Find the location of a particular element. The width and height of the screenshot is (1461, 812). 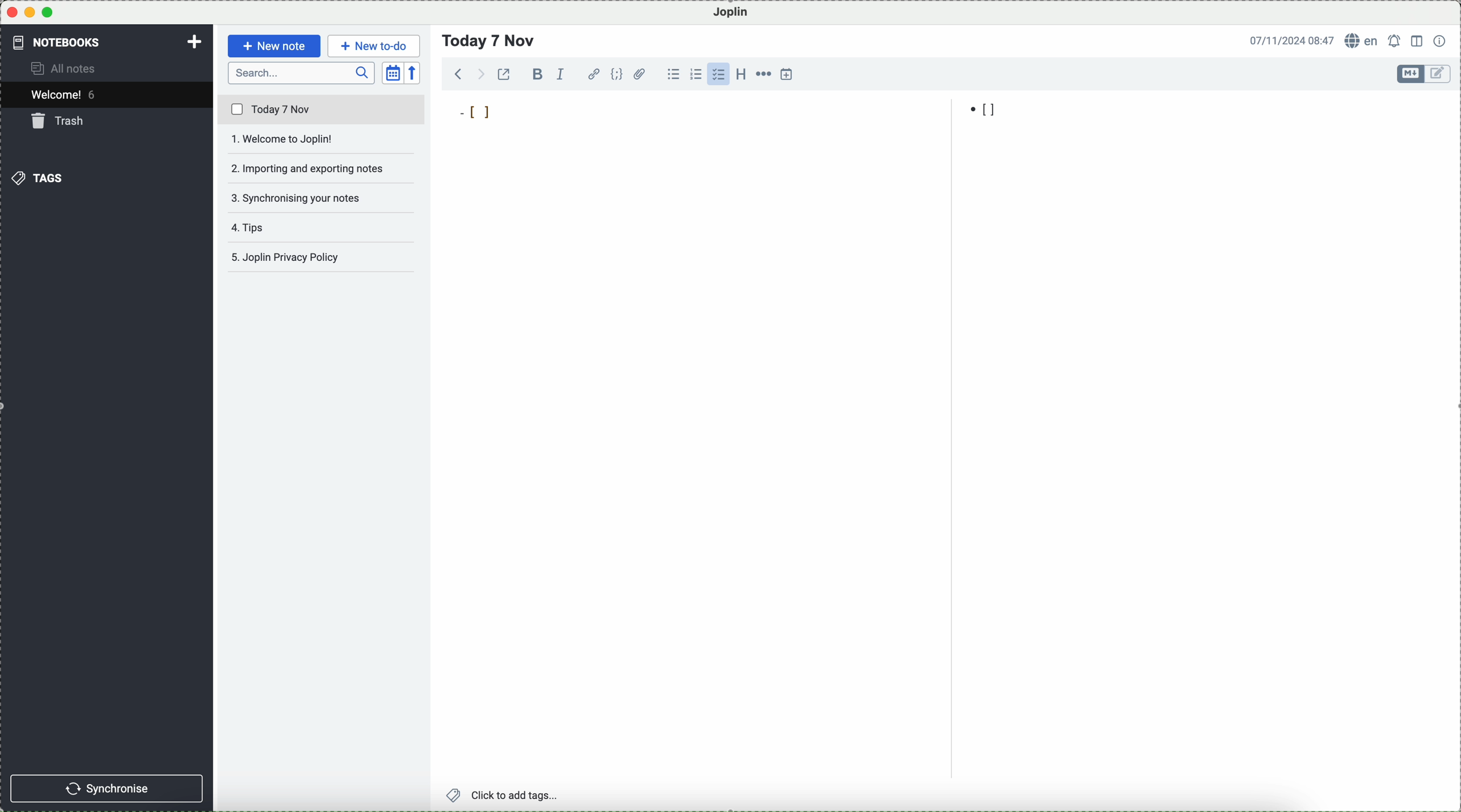

horizontal rule is located at coordinates (763, 74).